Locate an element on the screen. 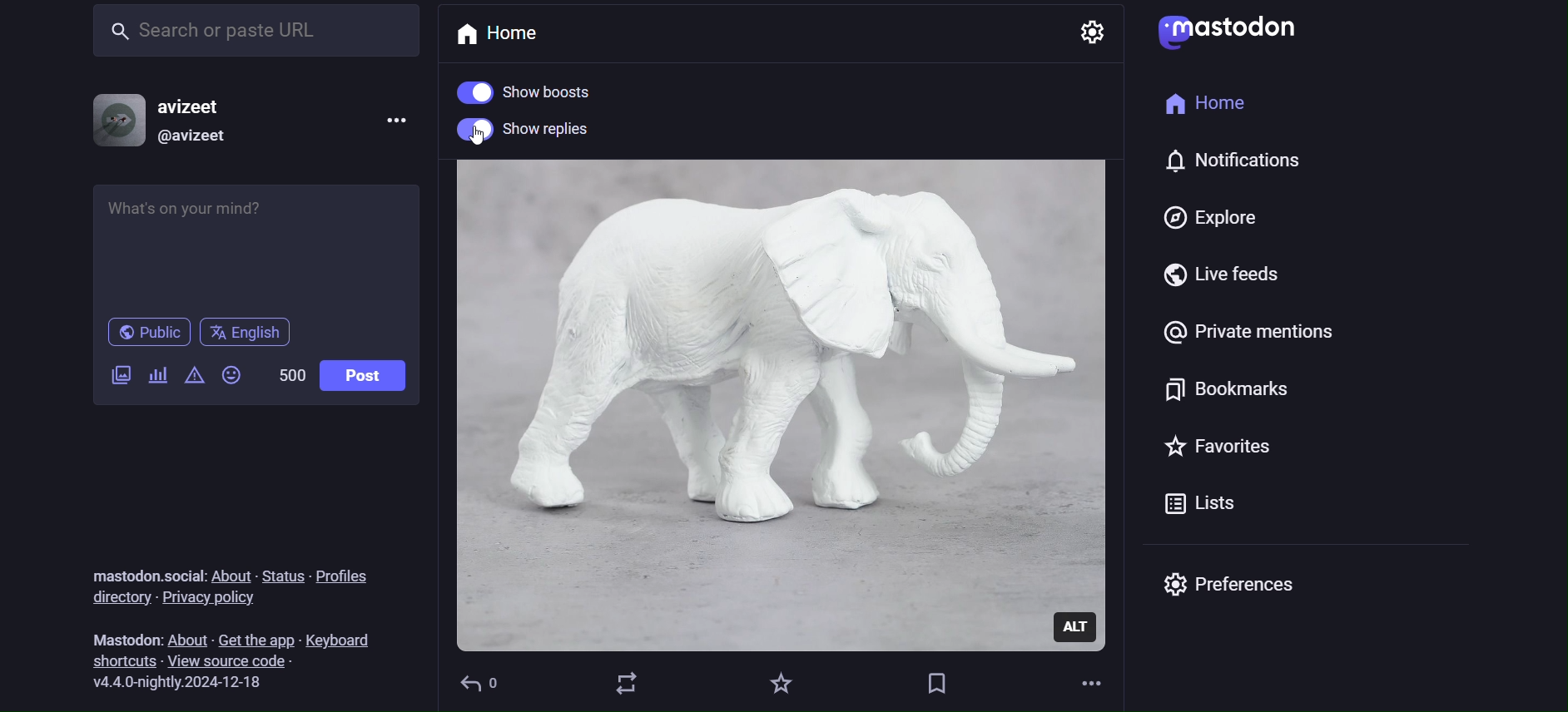 The image size is (1568, 712). text is located at coordinates (120, 638).